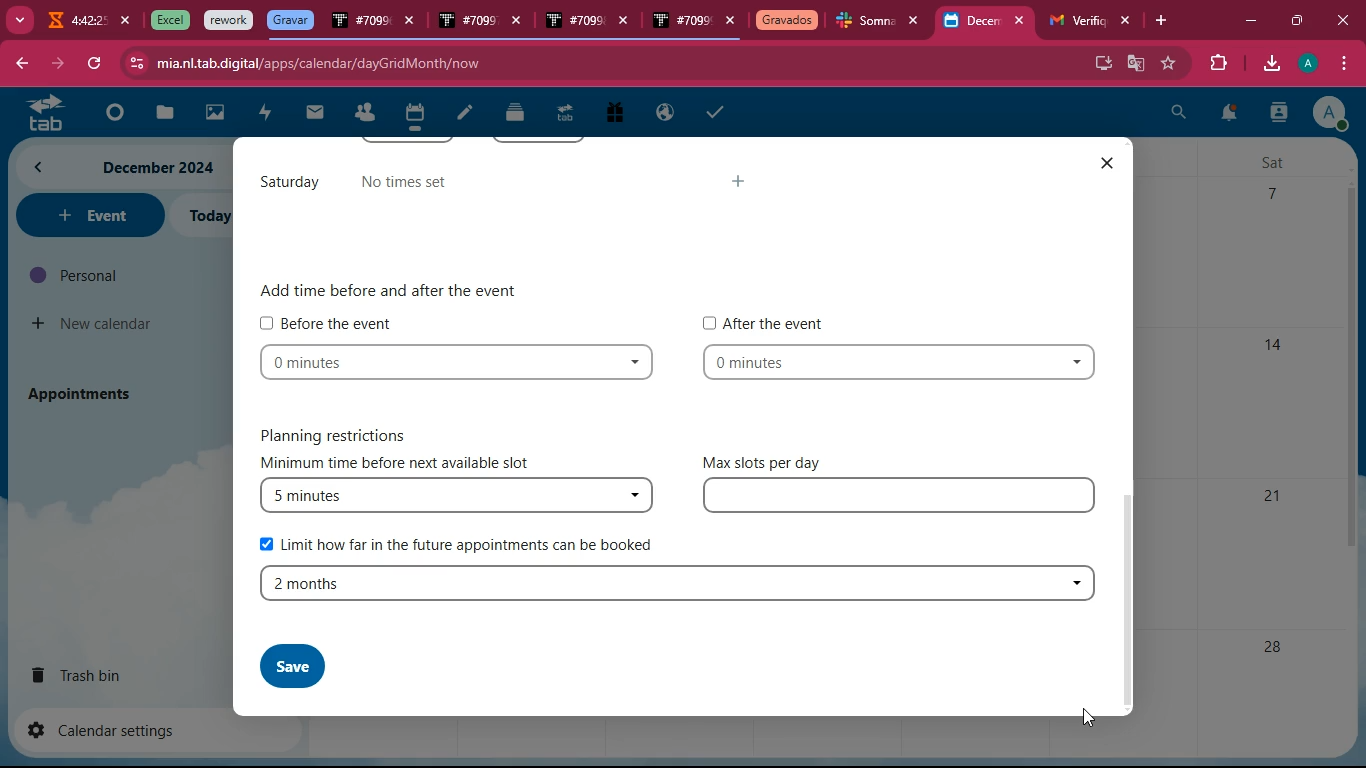  I want to click on Before the event, so click(328, 324).